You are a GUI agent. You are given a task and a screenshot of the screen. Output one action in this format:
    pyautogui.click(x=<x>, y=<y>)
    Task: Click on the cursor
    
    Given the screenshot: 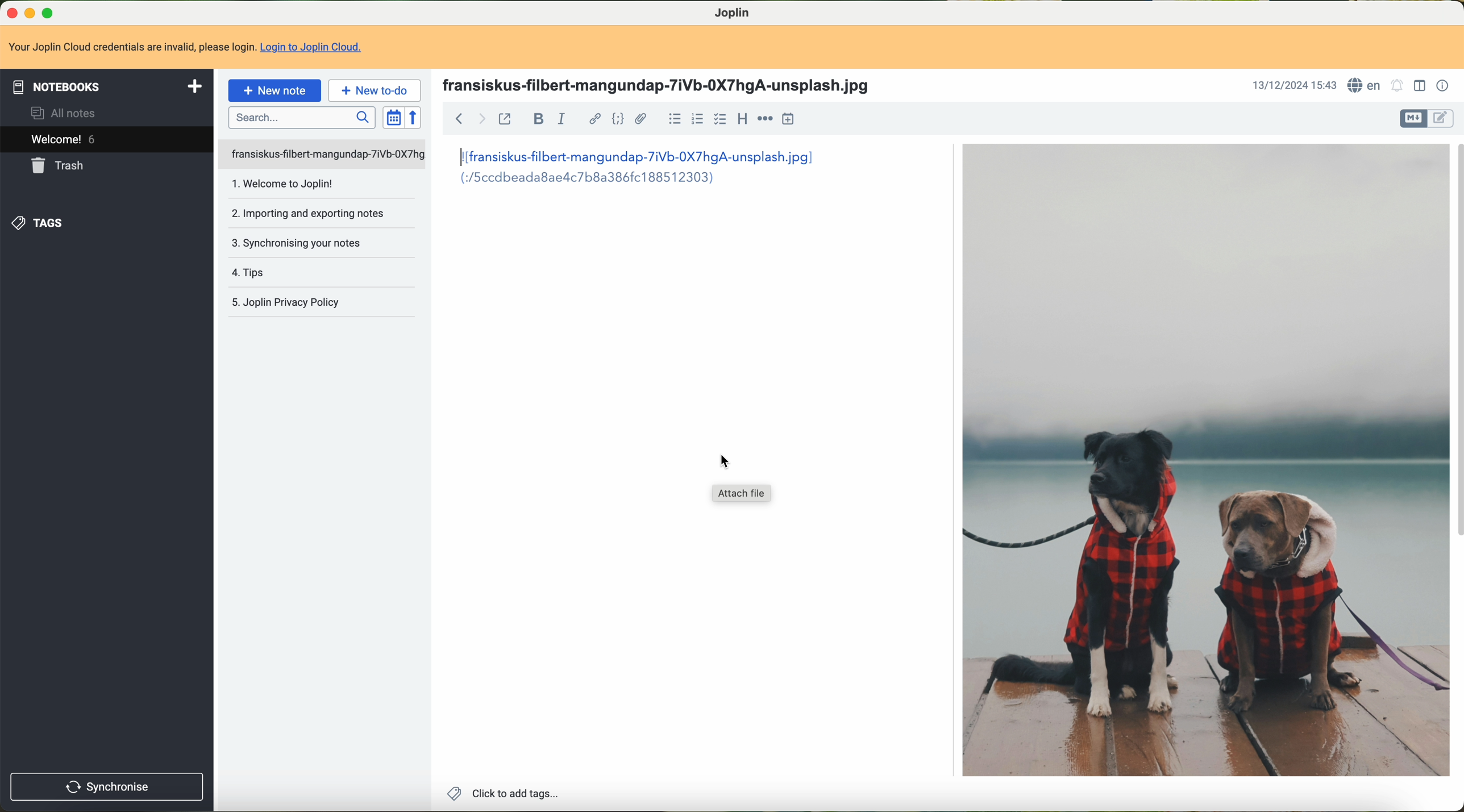 What is the action you would take?
    pyautogui.click(x=722, y=461)
    